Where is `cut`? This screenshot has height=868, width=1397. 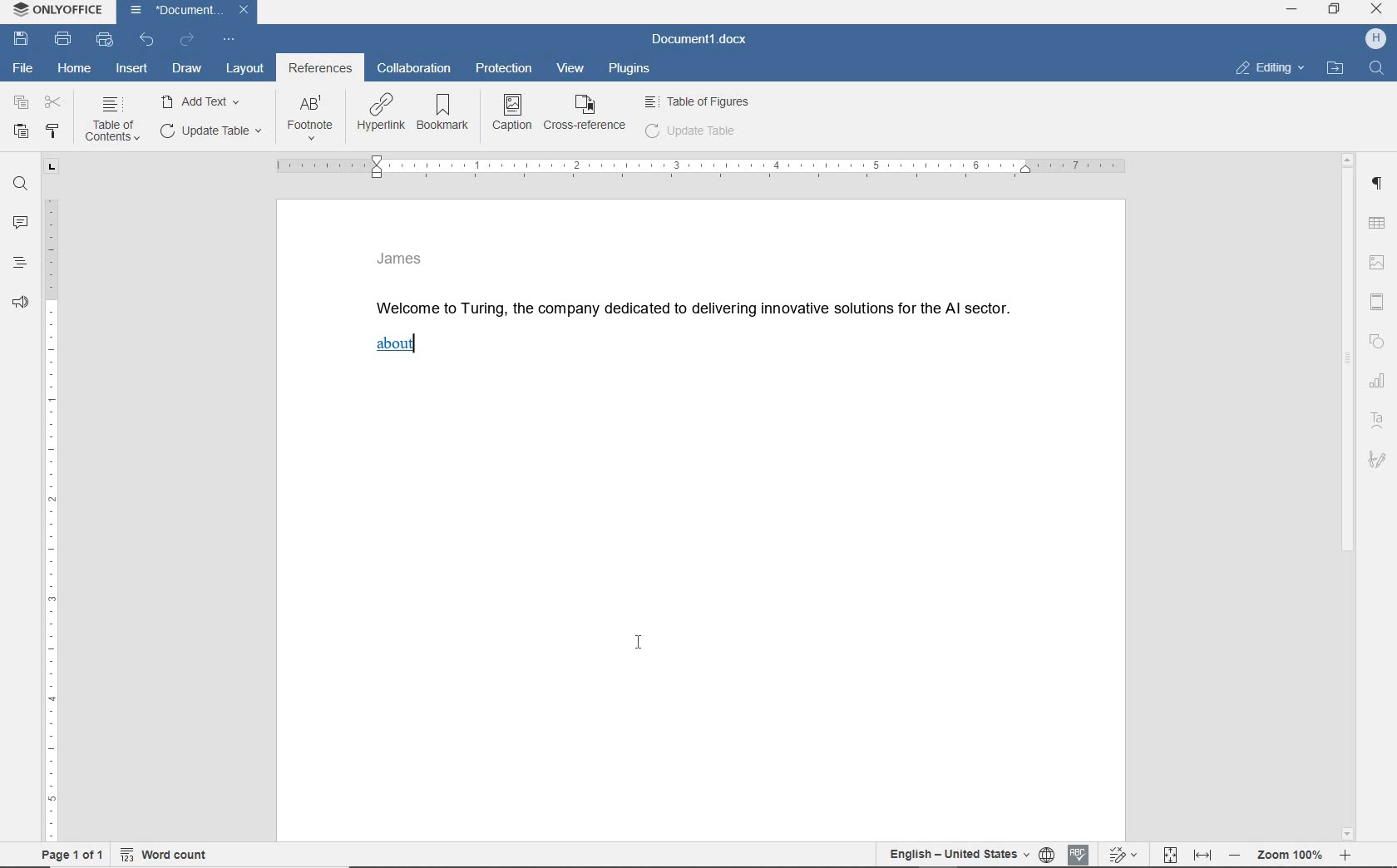
cut is located at coordinates (55, 103).